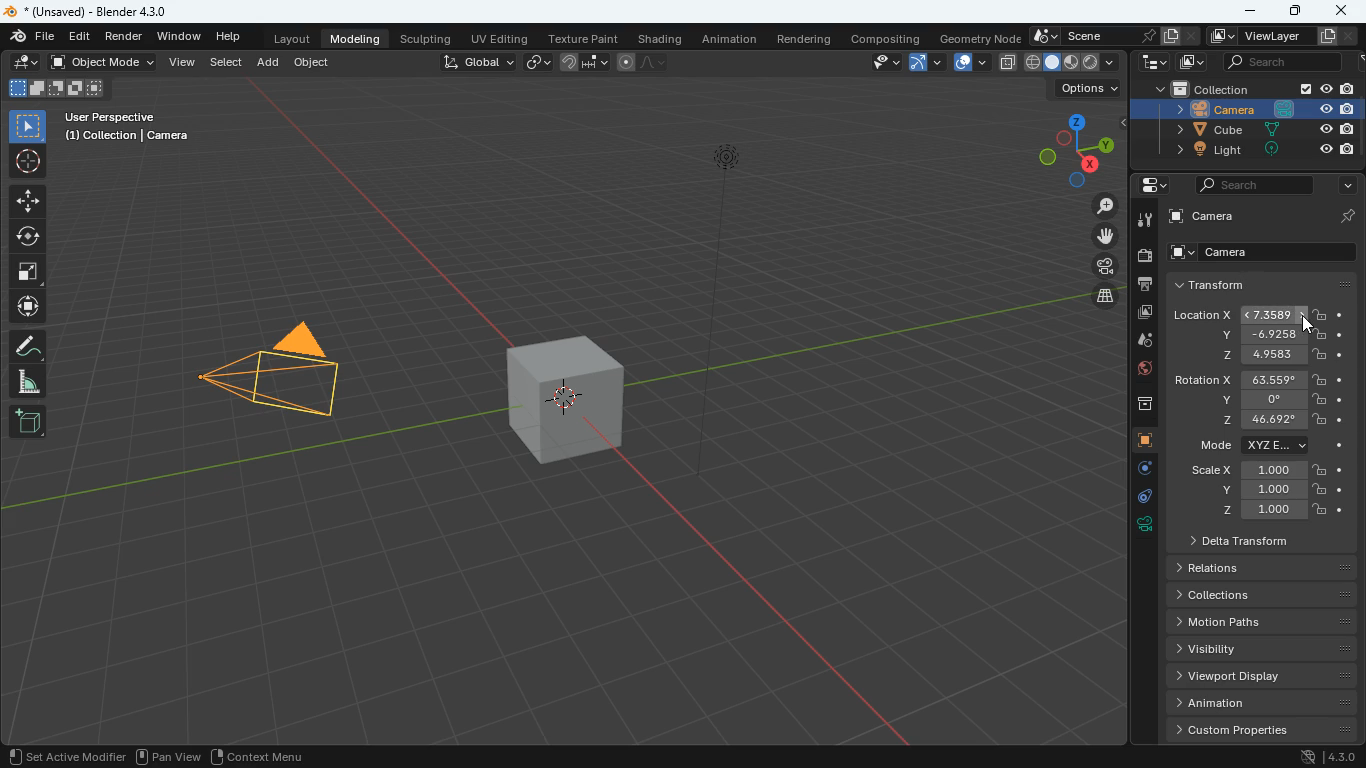 The height and width of the screenshot is (768, 1366). What do you see at coordinates (1264, 569) in the screenshot?
I see `relations` at bounding box center [1264, 569].